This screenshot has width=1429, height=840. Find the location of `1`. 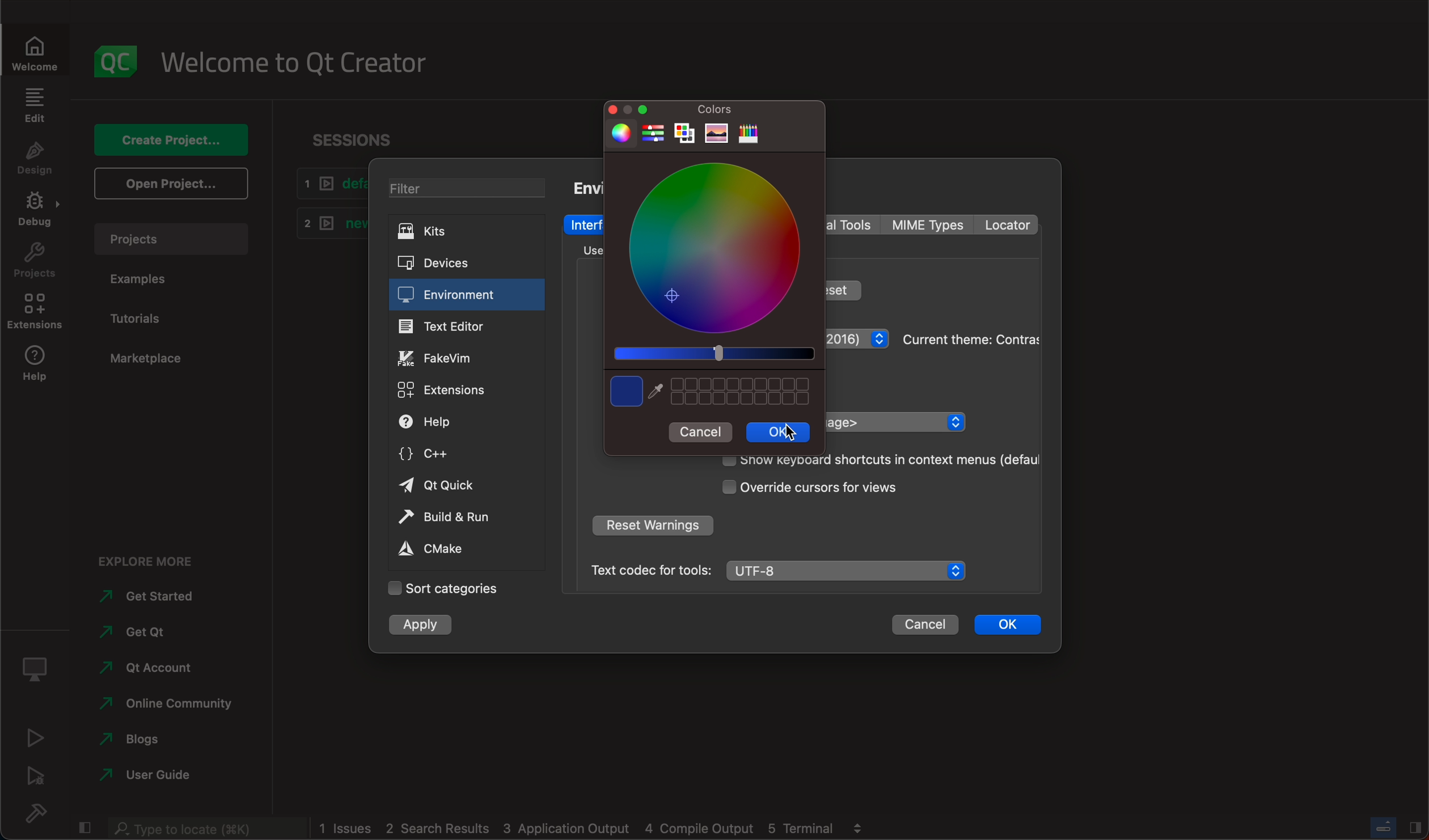

1 is located at coordinates (328, 184).